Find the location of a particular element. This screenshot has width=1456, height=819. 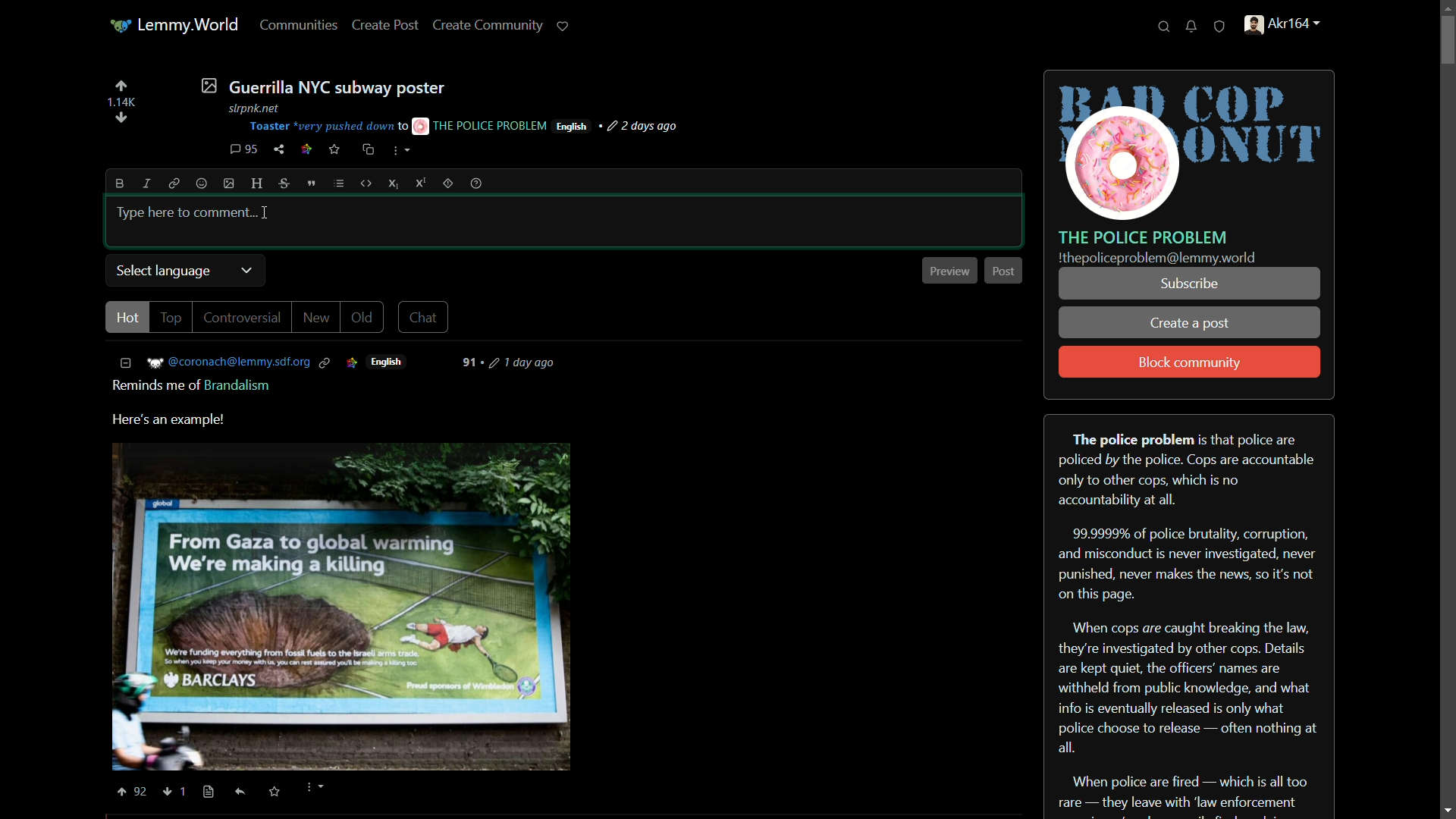

91. is located at coordinates (473, 362).